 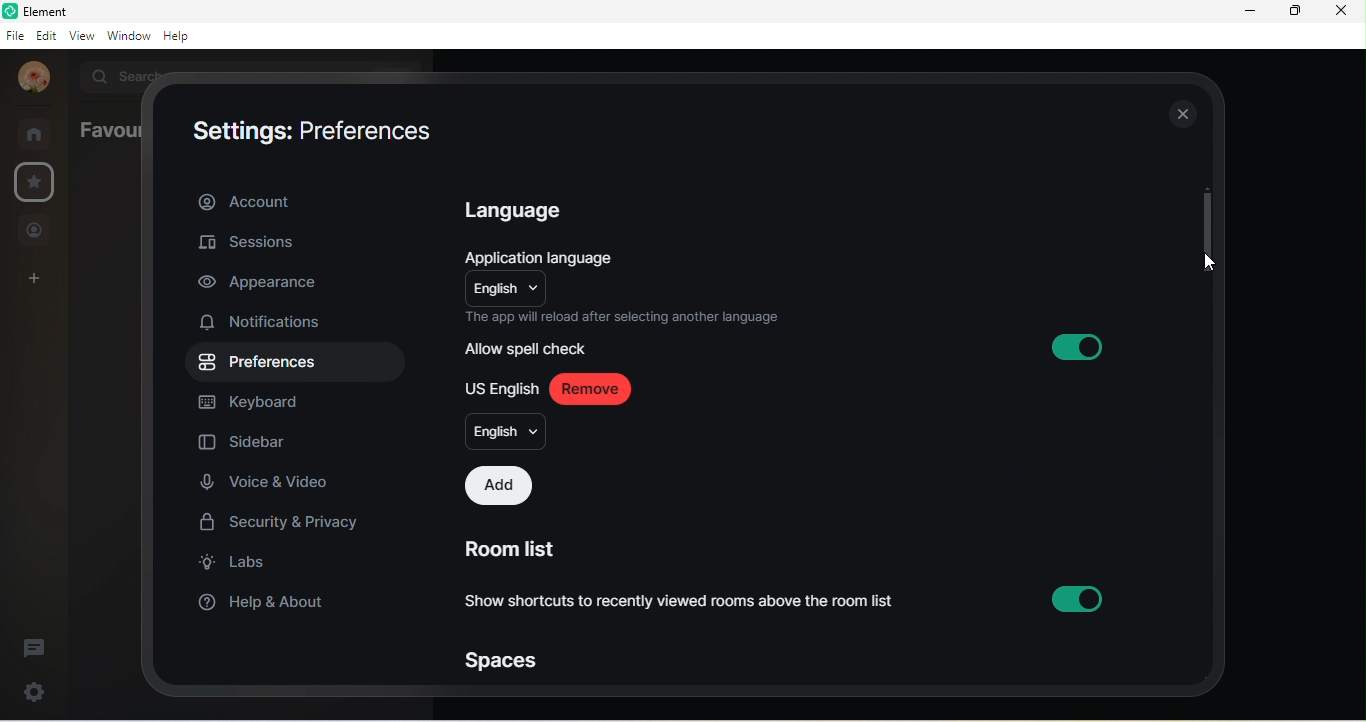 I want to click on preference, so click(x=260, y=364).